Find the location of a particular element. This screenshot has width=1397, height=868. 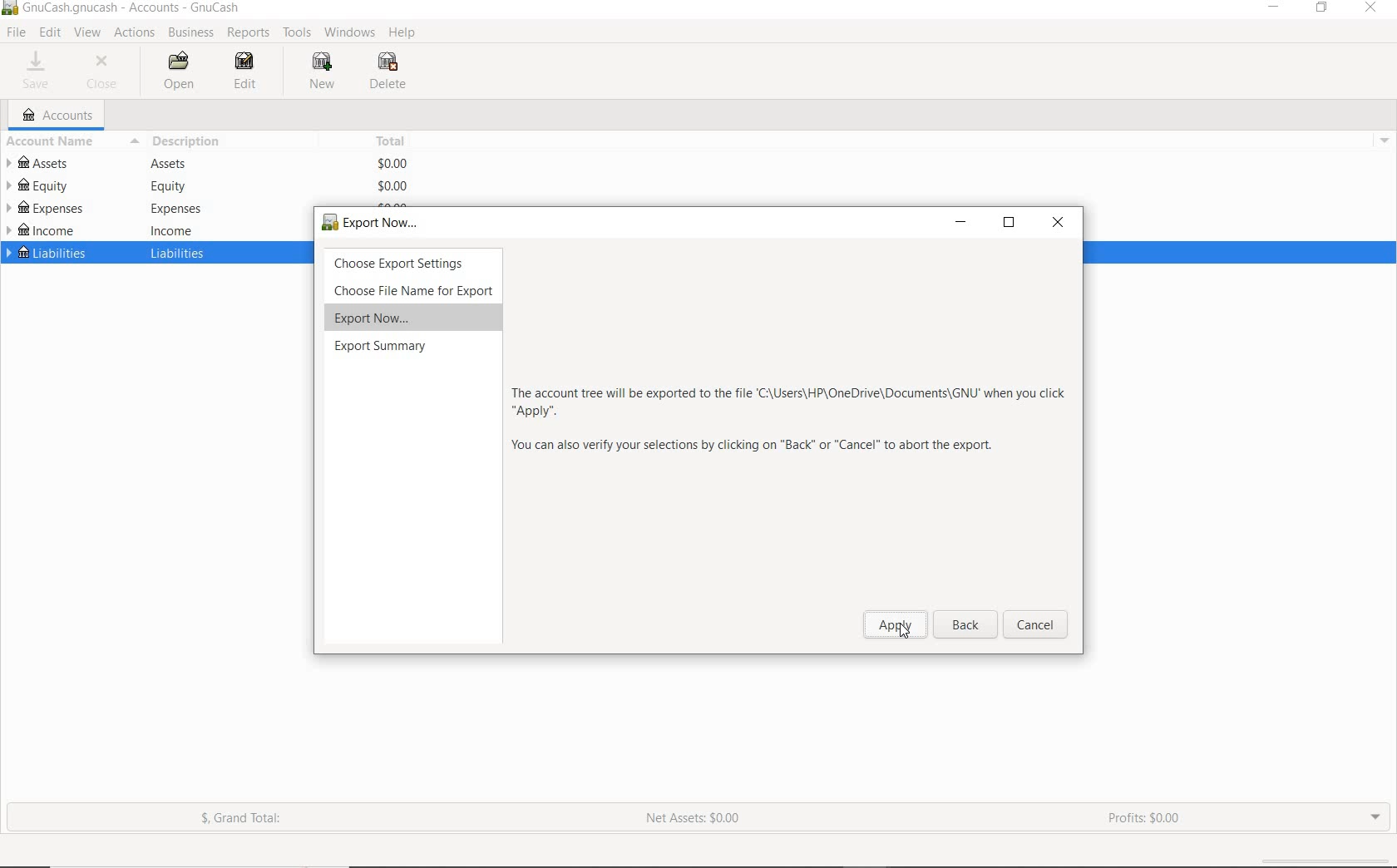

DESCRIPTION is located at coordinates (182, 142).